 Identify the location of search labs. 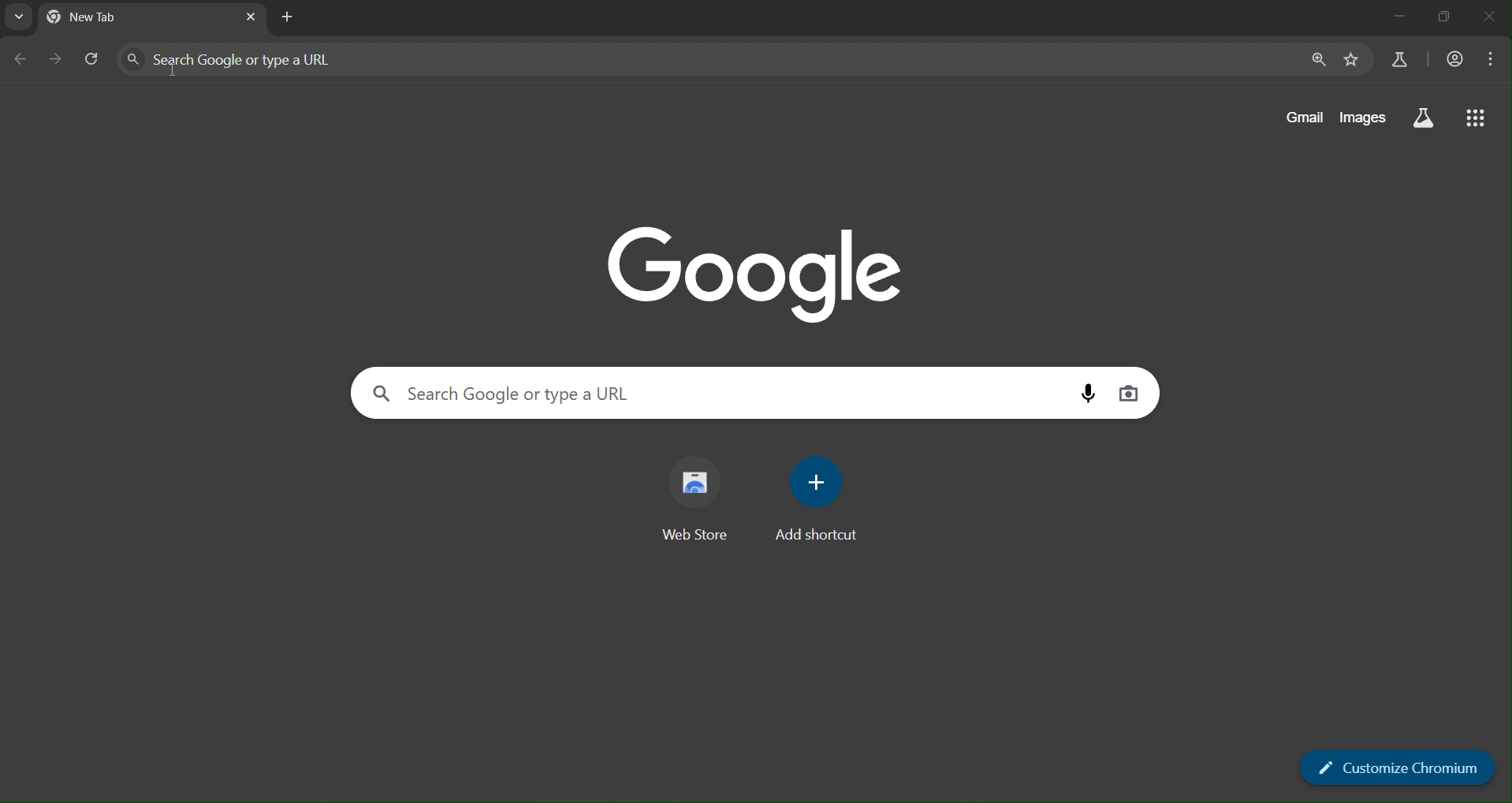
(1395, 60).